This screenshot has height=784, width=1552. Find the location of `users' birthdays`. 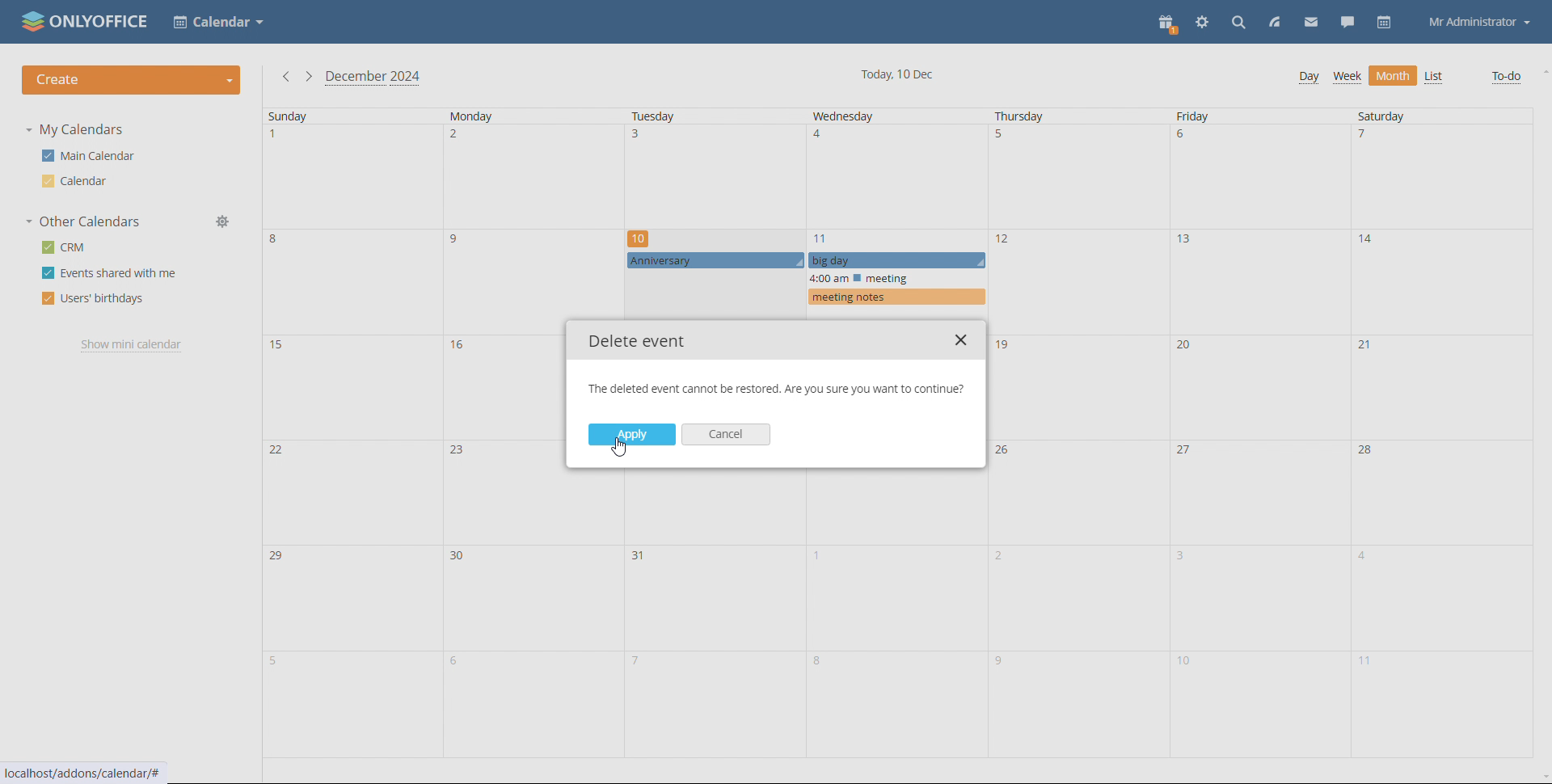

users' birthdays is located at coordinates (92, 299).